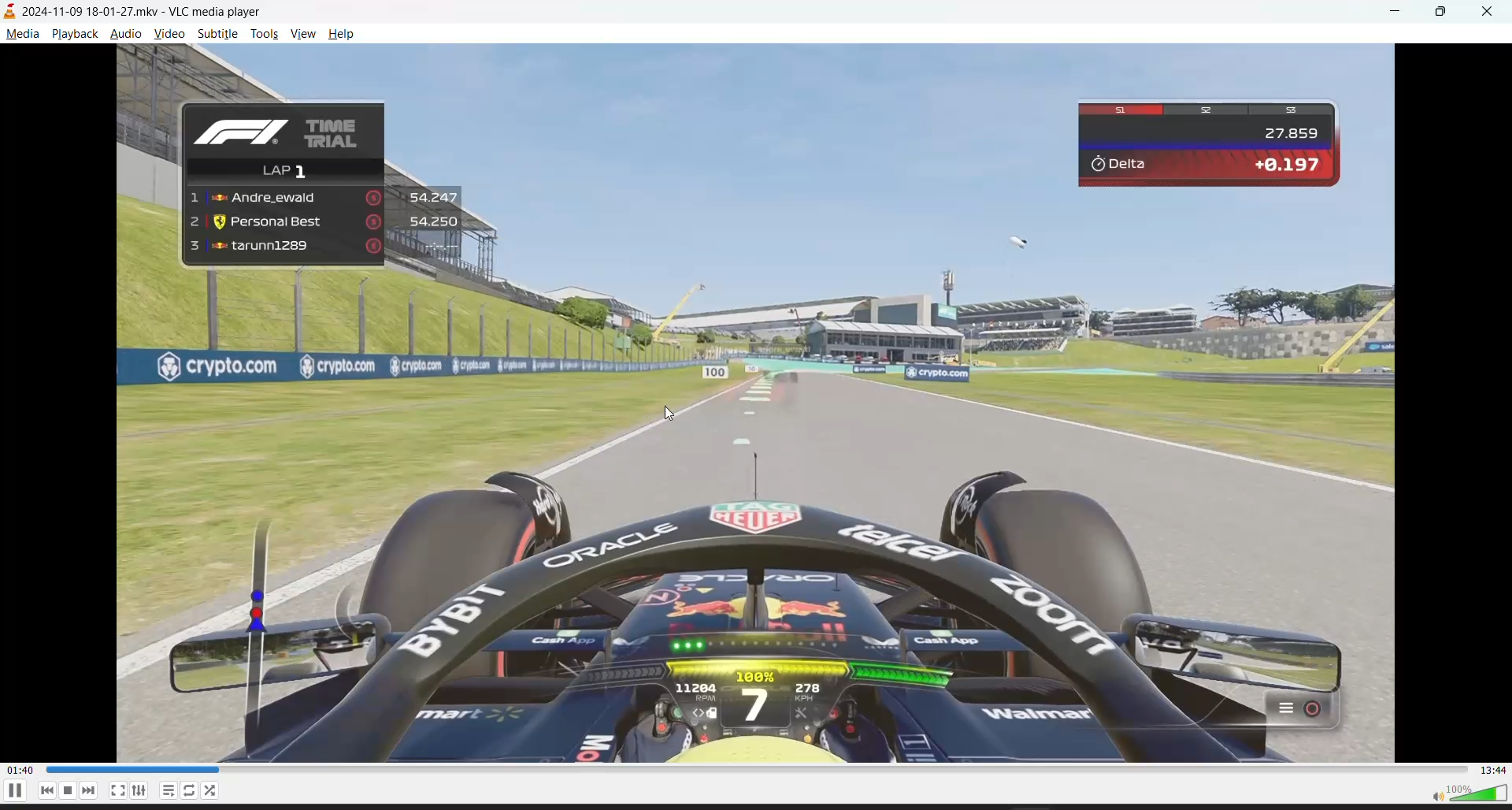  Describe the element at coordinates (1442, 10) in the screenshot. I see `maximize` at that location.